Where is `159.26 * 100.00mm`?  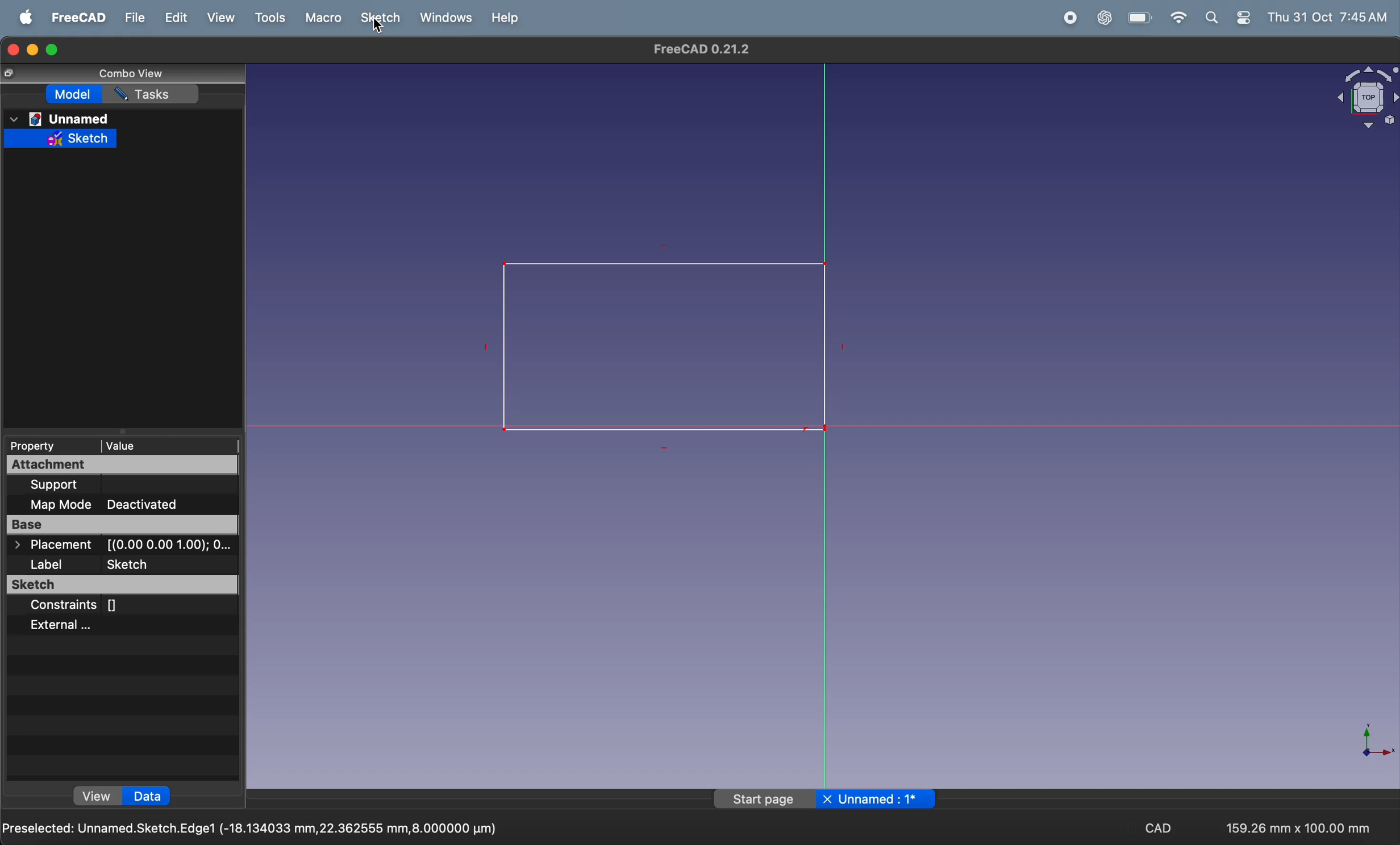 159.26 * 100.00mm is located at coordinates (1301, 825).